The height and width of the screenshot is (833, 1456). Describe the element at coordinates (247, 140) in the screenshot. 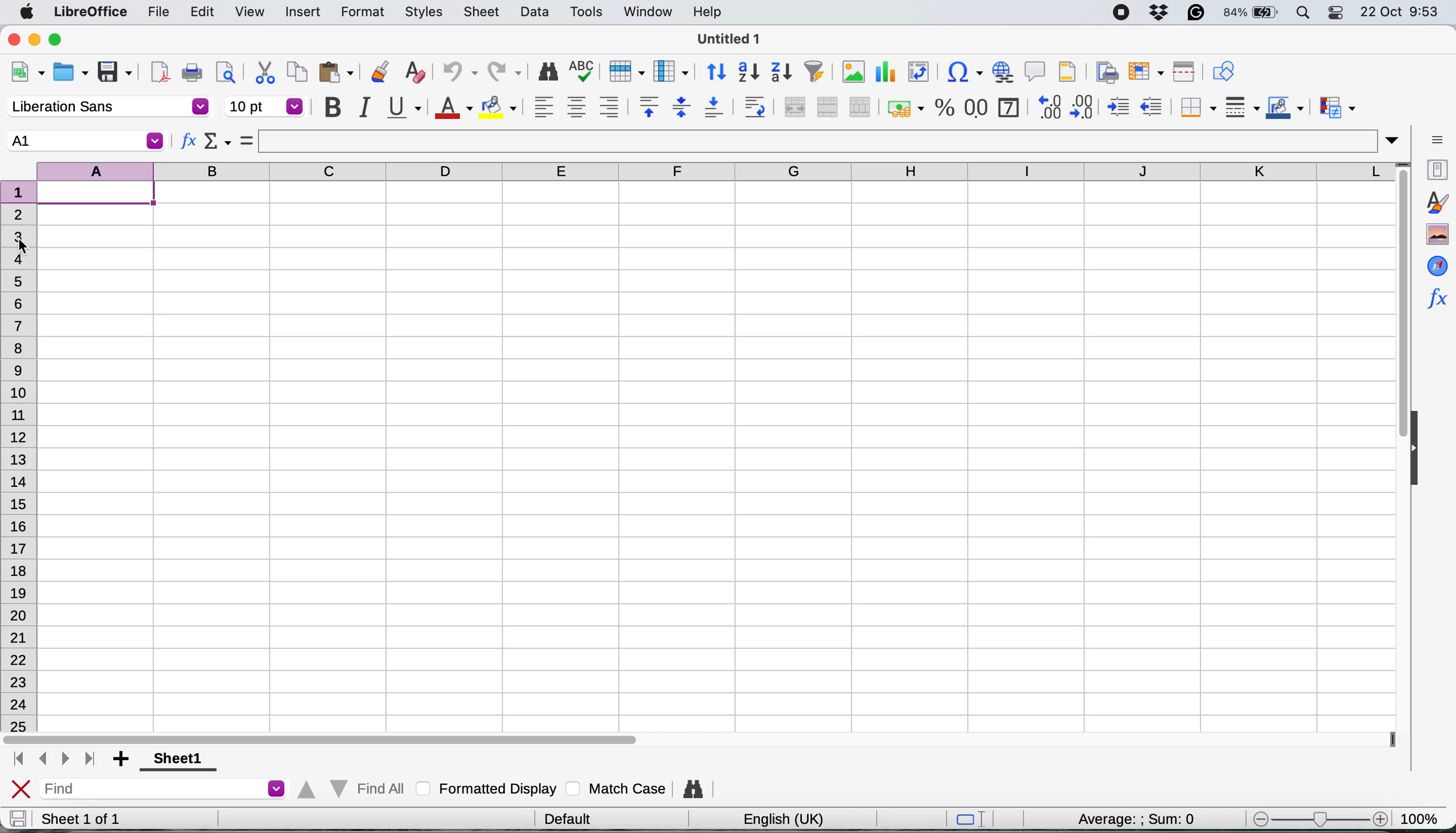

I see `formula ` at that location.